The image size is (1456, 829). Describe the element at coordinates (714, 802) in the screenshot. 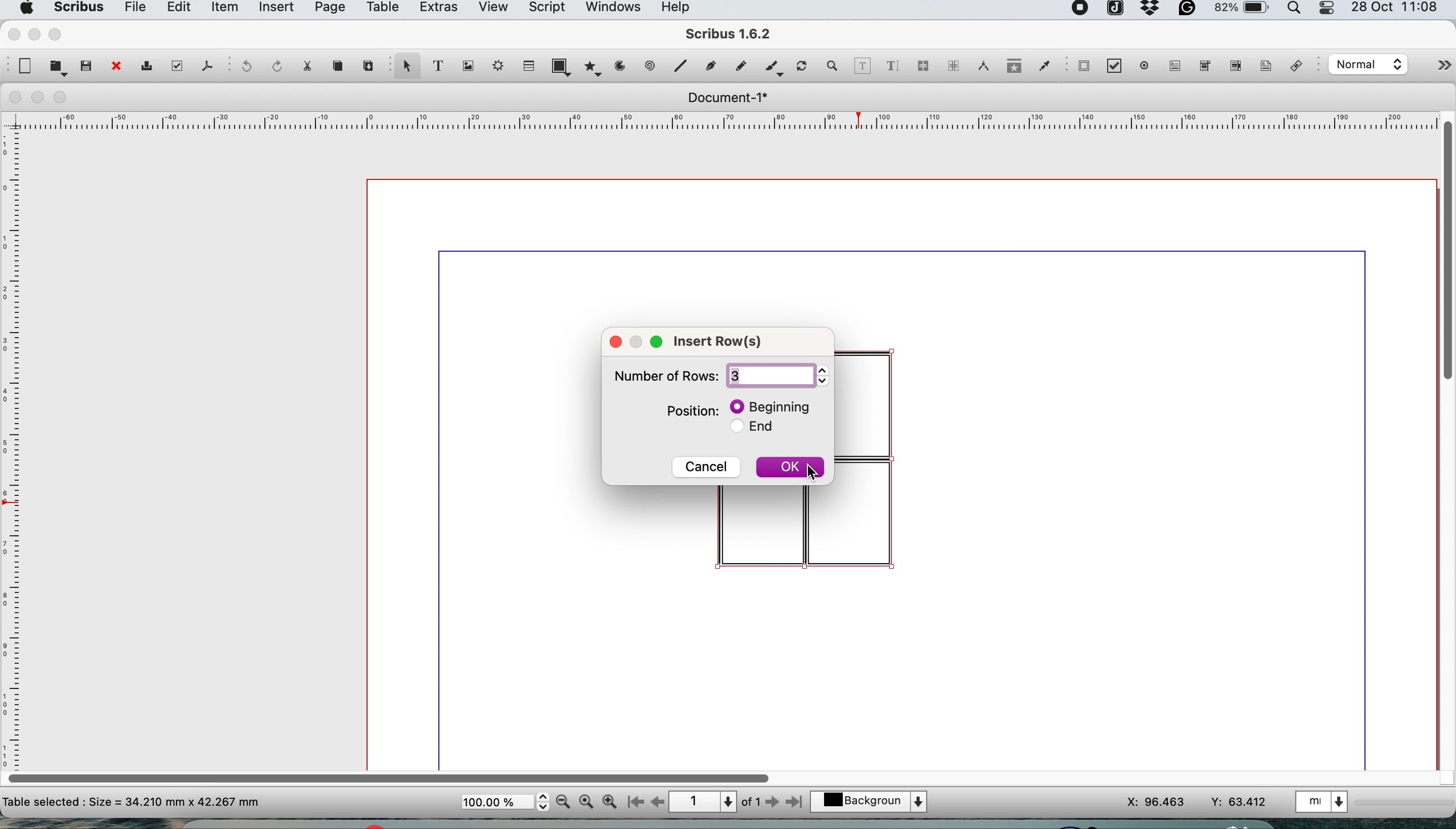

I see `page 1 of 1` at that location.